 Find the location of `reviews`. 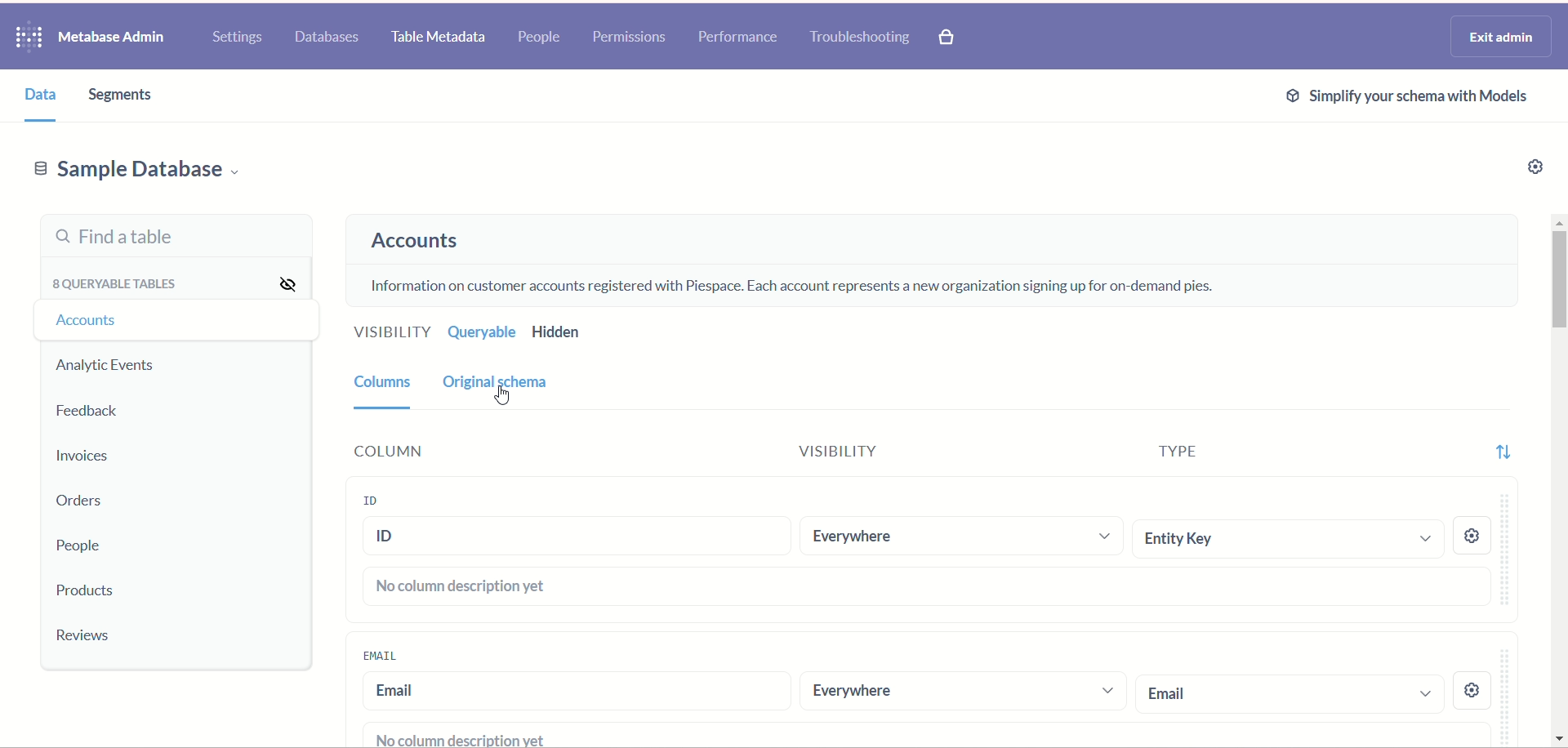

reviews is located at coordinates (82, 636).